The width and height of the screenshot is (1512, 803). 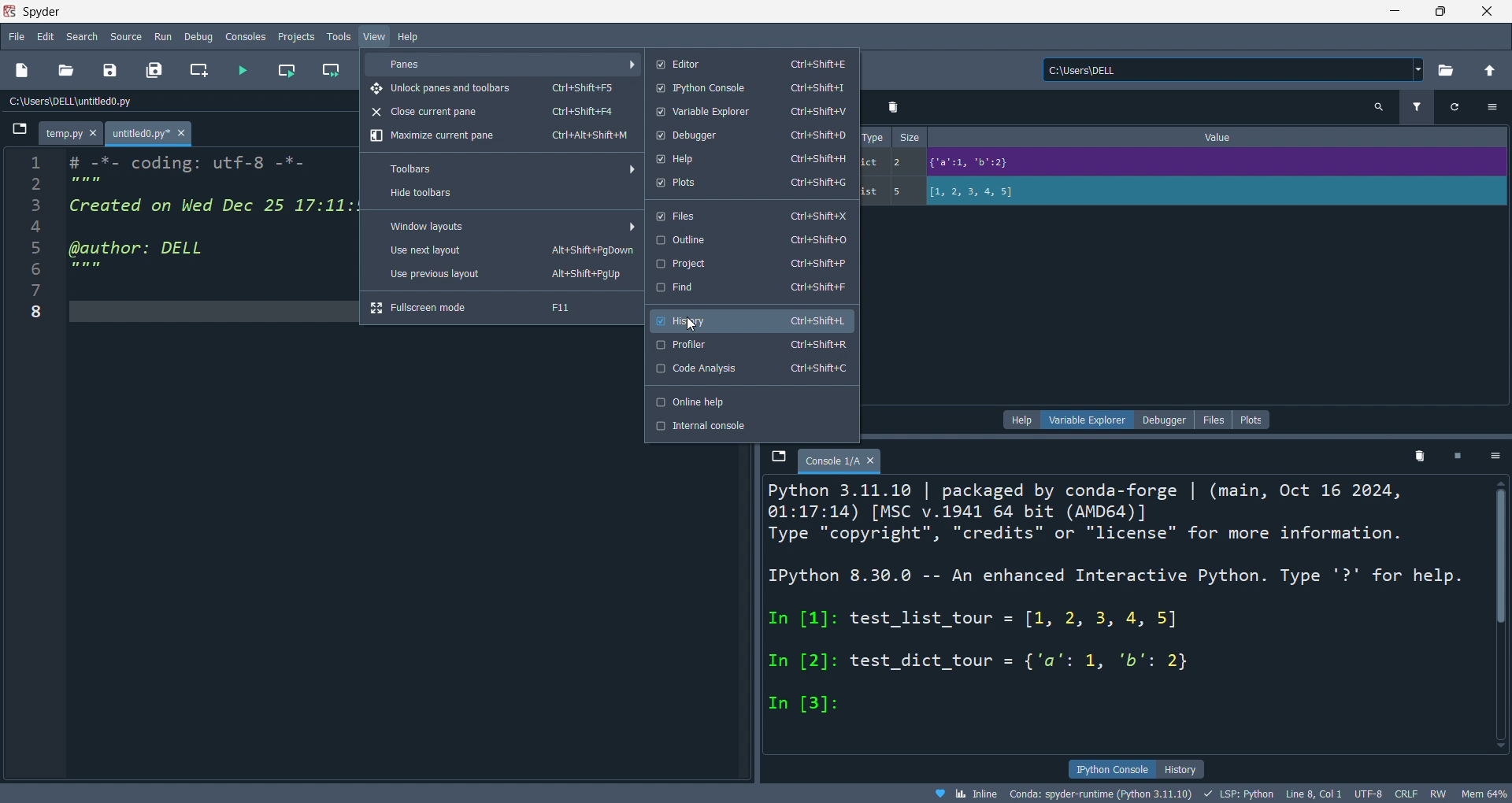 I want to click on dict, so click(x=873, y=165).